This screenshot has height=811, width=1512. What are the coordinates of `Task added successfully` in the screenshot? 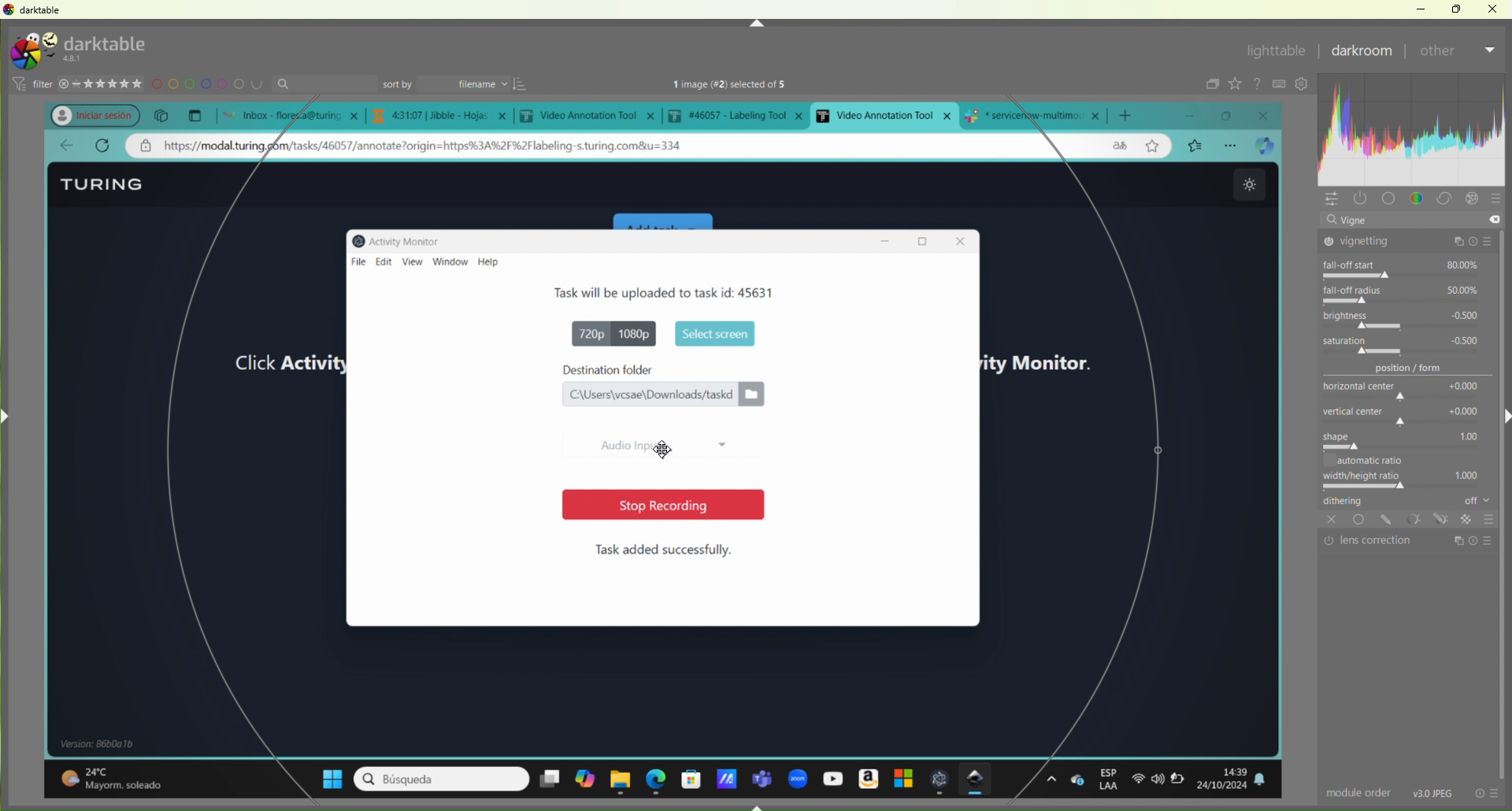 It's located at (665, 550).